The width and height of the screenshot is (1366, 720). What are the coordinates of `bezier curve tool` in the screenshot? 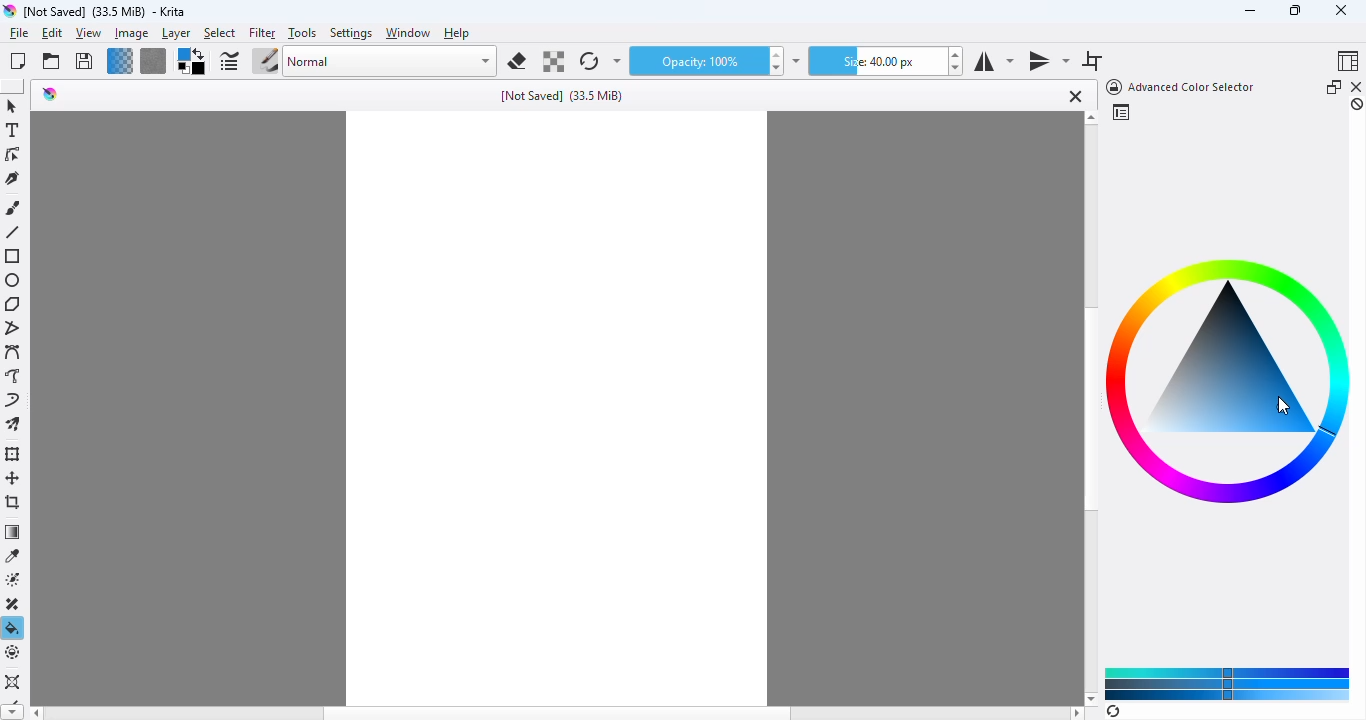 It's located at (14, 351).